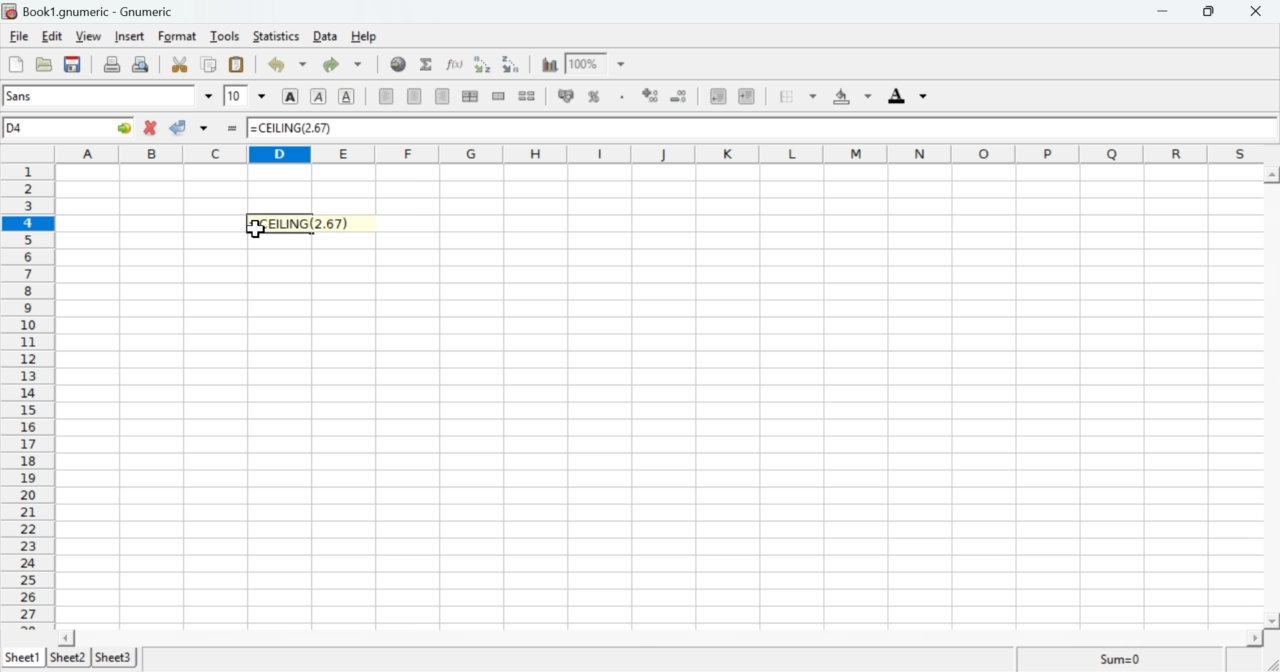 The height and width of the screenshot is (672, 1280). Describe the element at coordinates (652, 96) in the screenshot. I see `Increase number of decimals` at that location.